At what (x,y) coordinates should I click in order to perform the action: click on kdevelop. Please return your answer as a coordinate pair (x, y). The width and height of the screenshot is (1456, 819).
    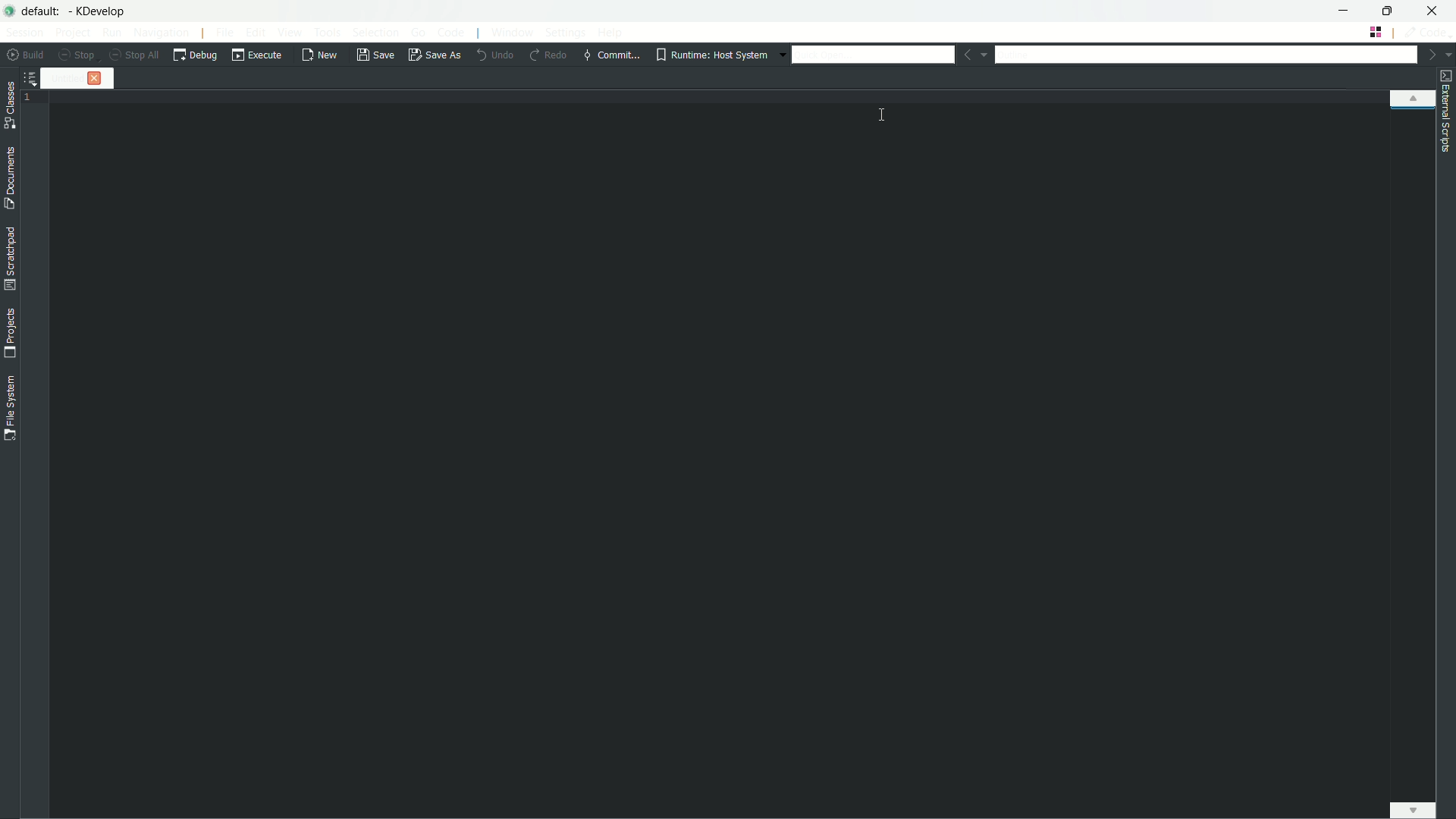
    Looking at the image, I should click on (99, 11).